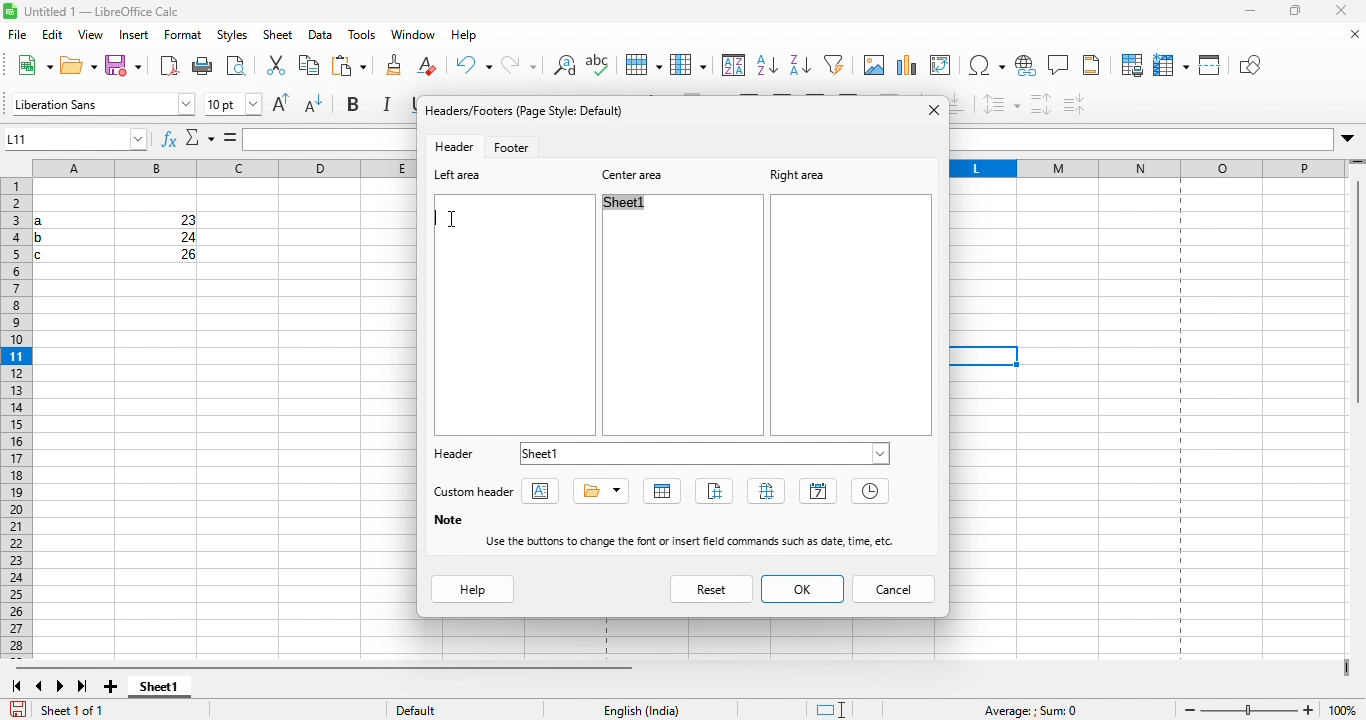 The image size is (1366, 720). What do you see at coordinates (84, 683) in the screenshot?
I see `last sheet` at bounding box center [84, 683].